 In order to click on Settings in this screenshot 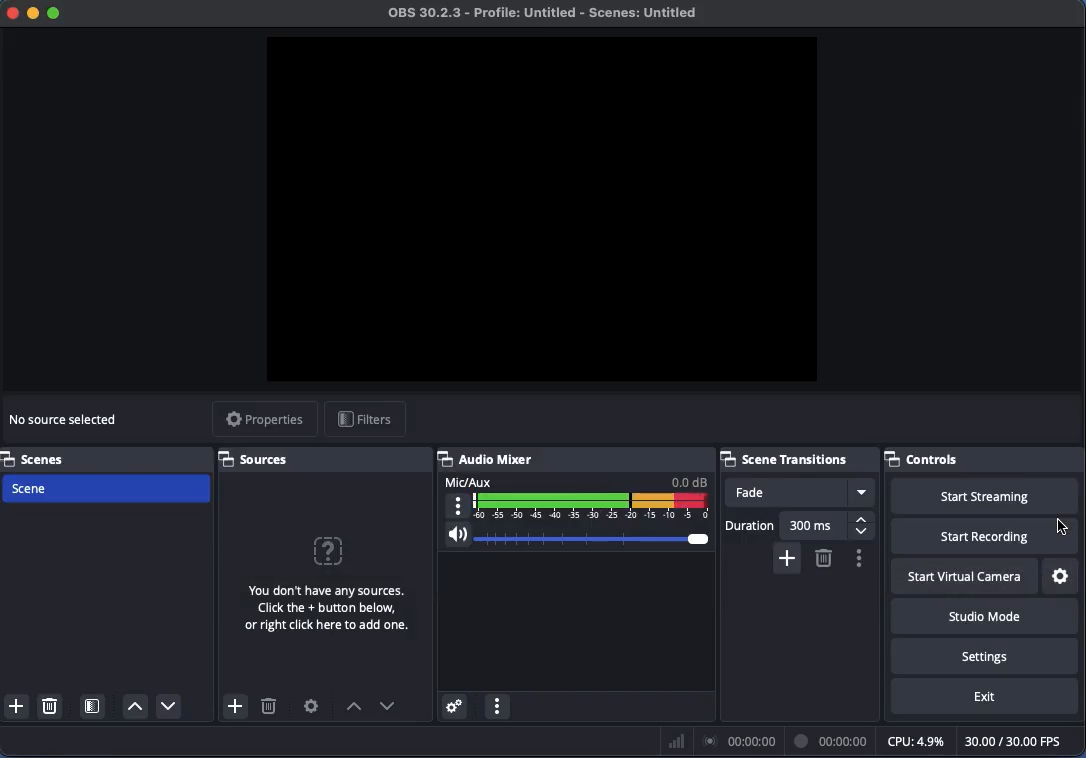, I will do `click(985, 655)`.